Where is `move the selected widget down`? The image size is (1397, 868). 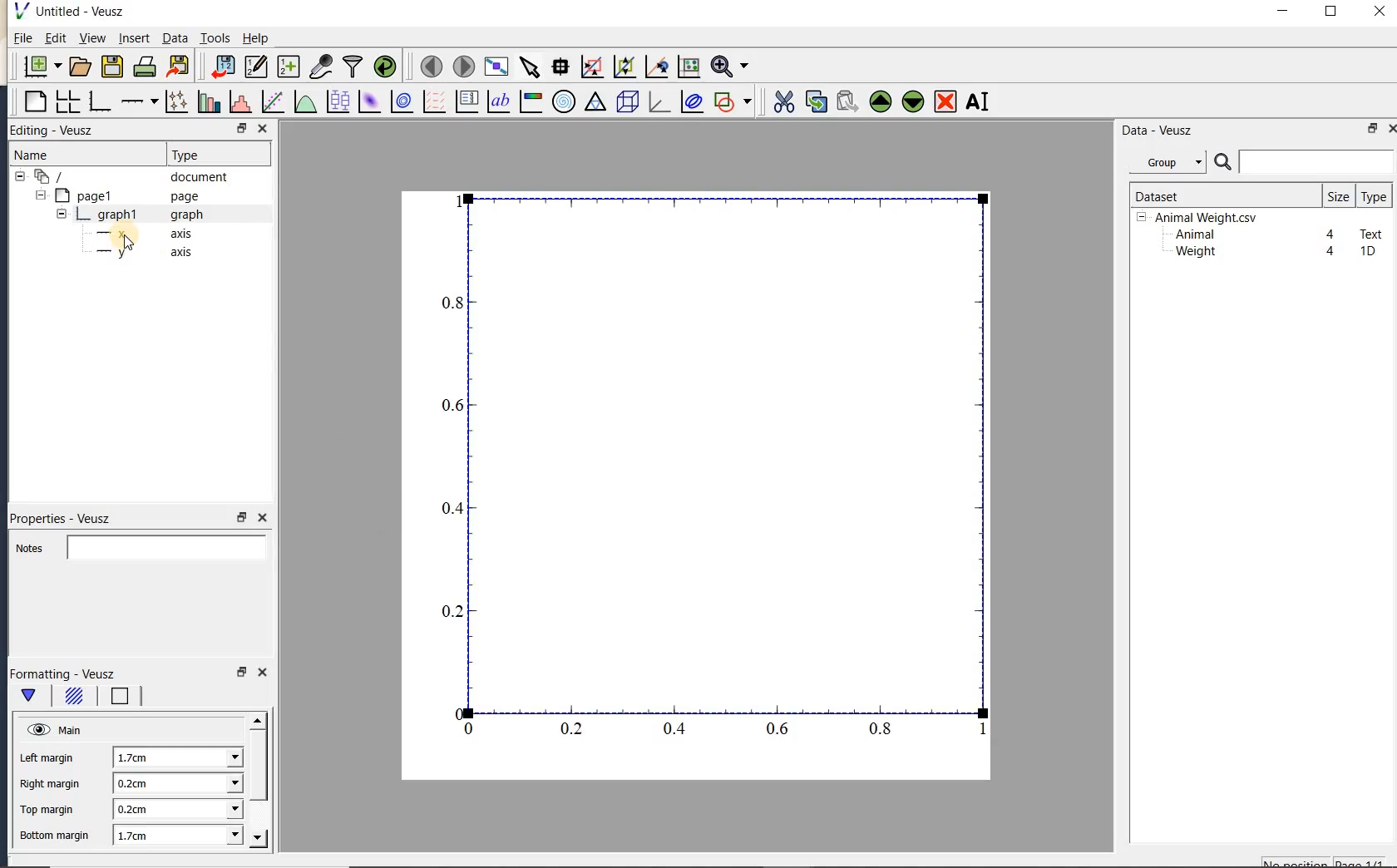
move the selected widget down is located at coordinates (913, 101).